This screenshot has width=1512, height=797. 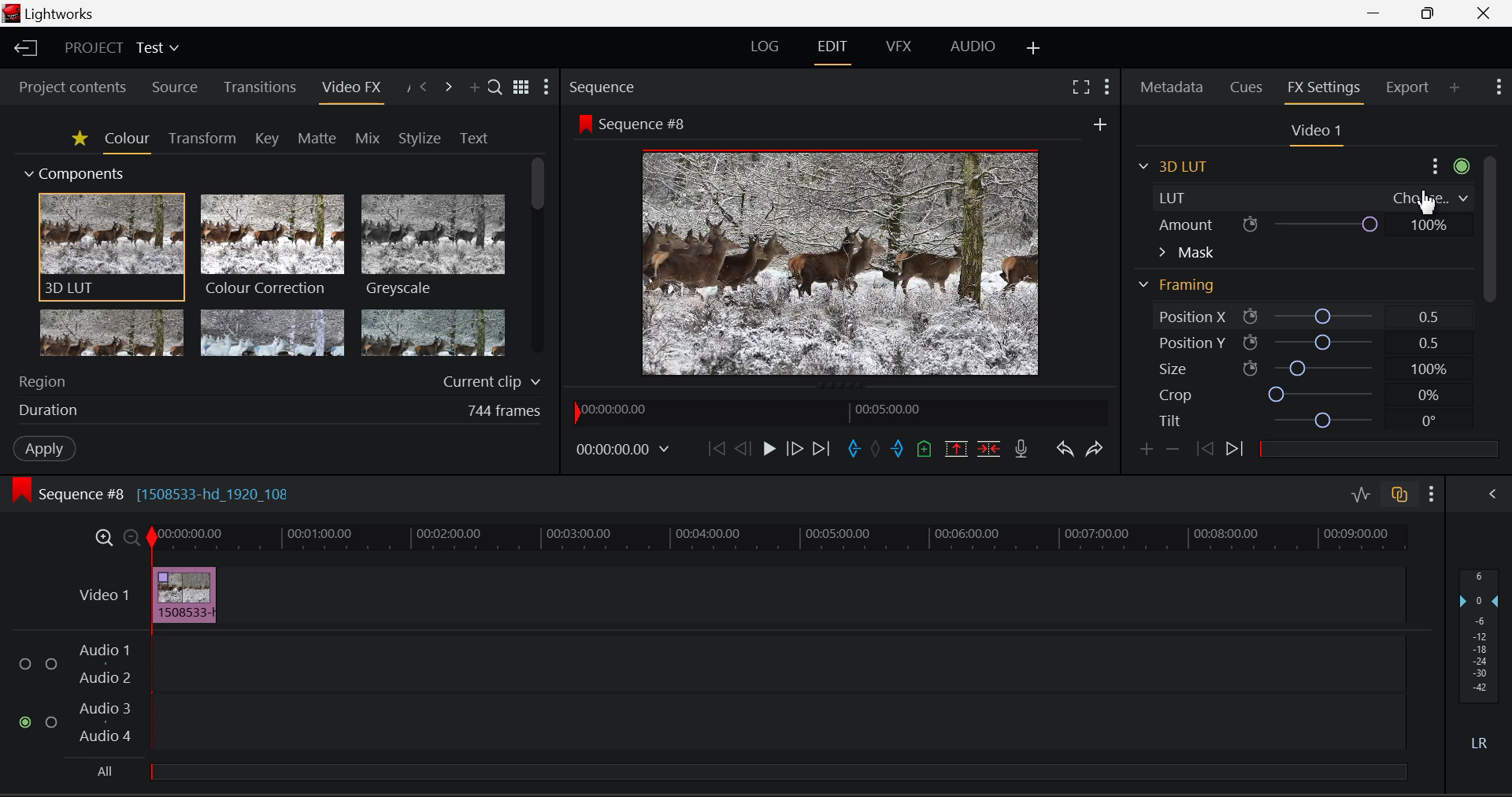 I want to click on Show Settings, so click(x=1431, y=494).